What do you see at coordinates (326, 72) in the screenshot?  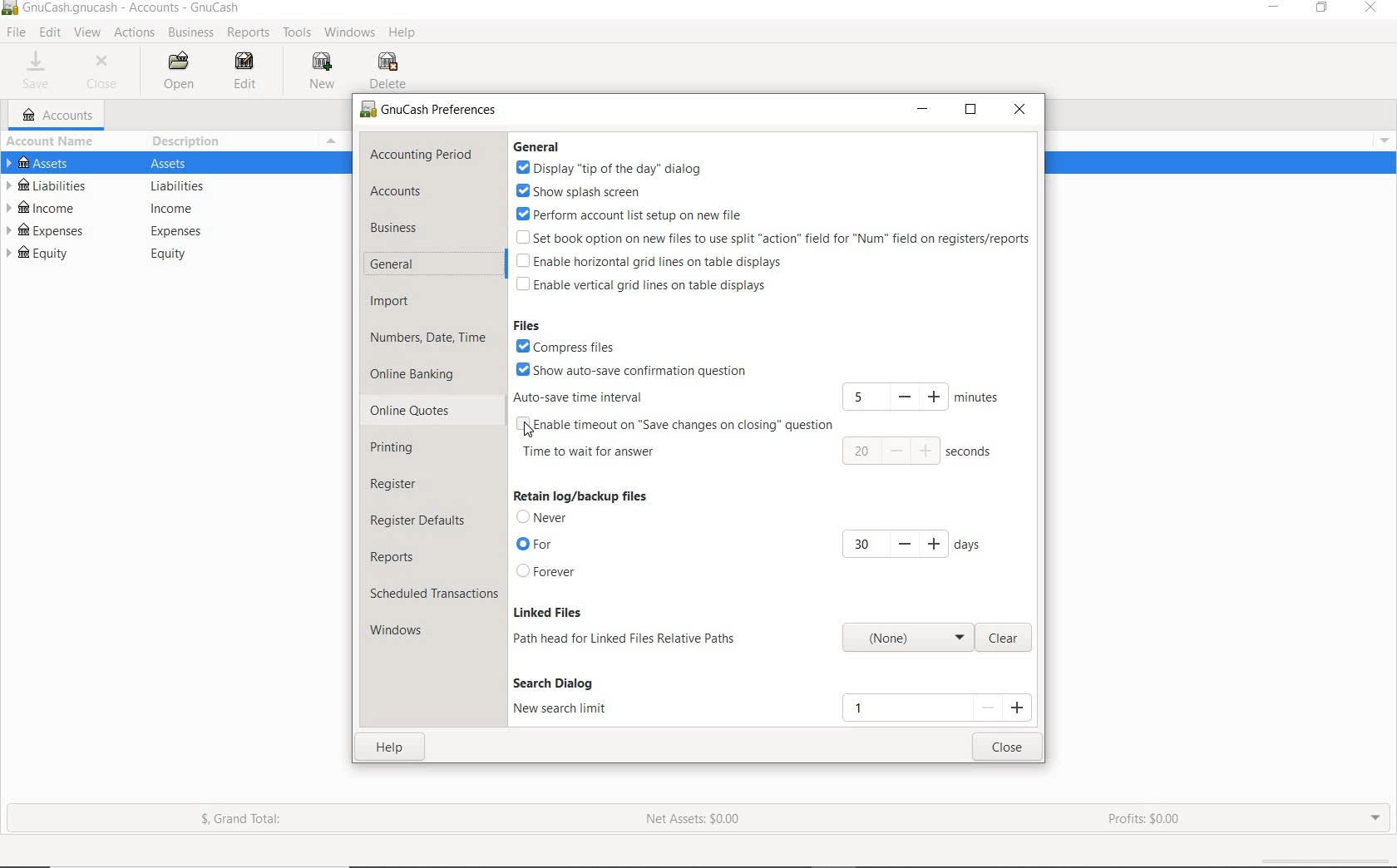 I see `NEW` at bounding box center [326, 72].